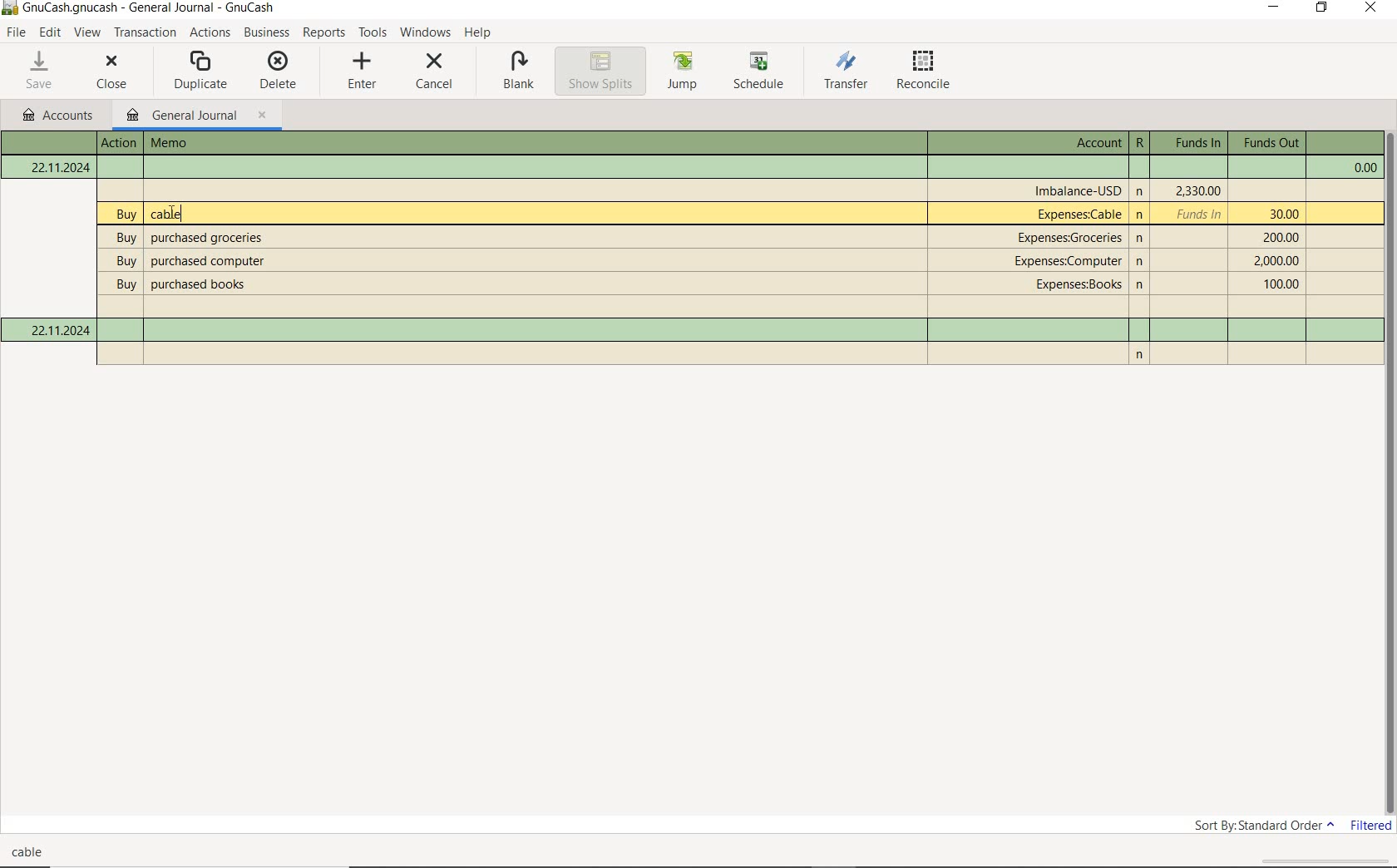 The image size is (1397, 868). I want to click on schedule, so click(763, 72).